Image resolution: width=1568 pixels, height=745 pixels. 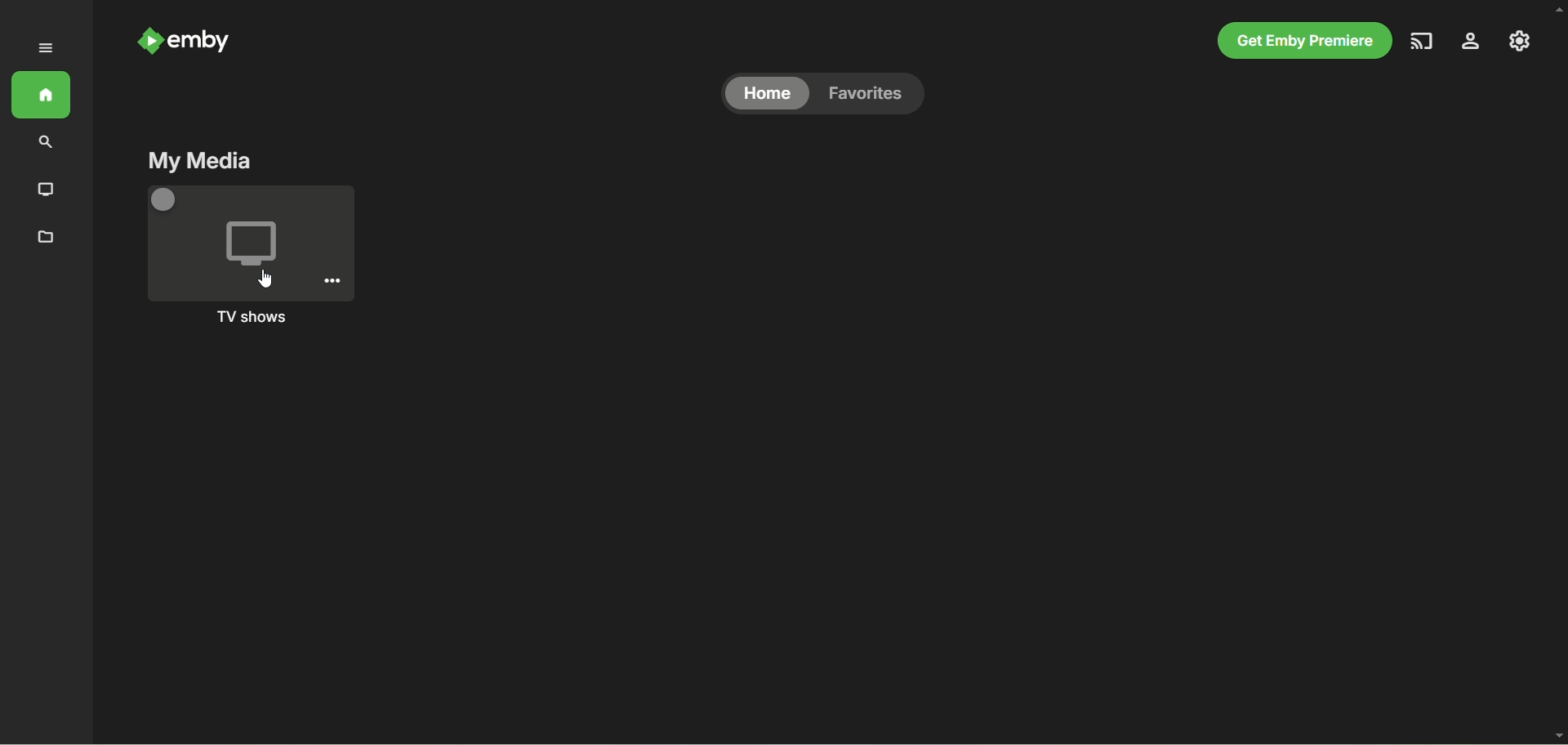 I want to click on home, so click(x=42, y=95).